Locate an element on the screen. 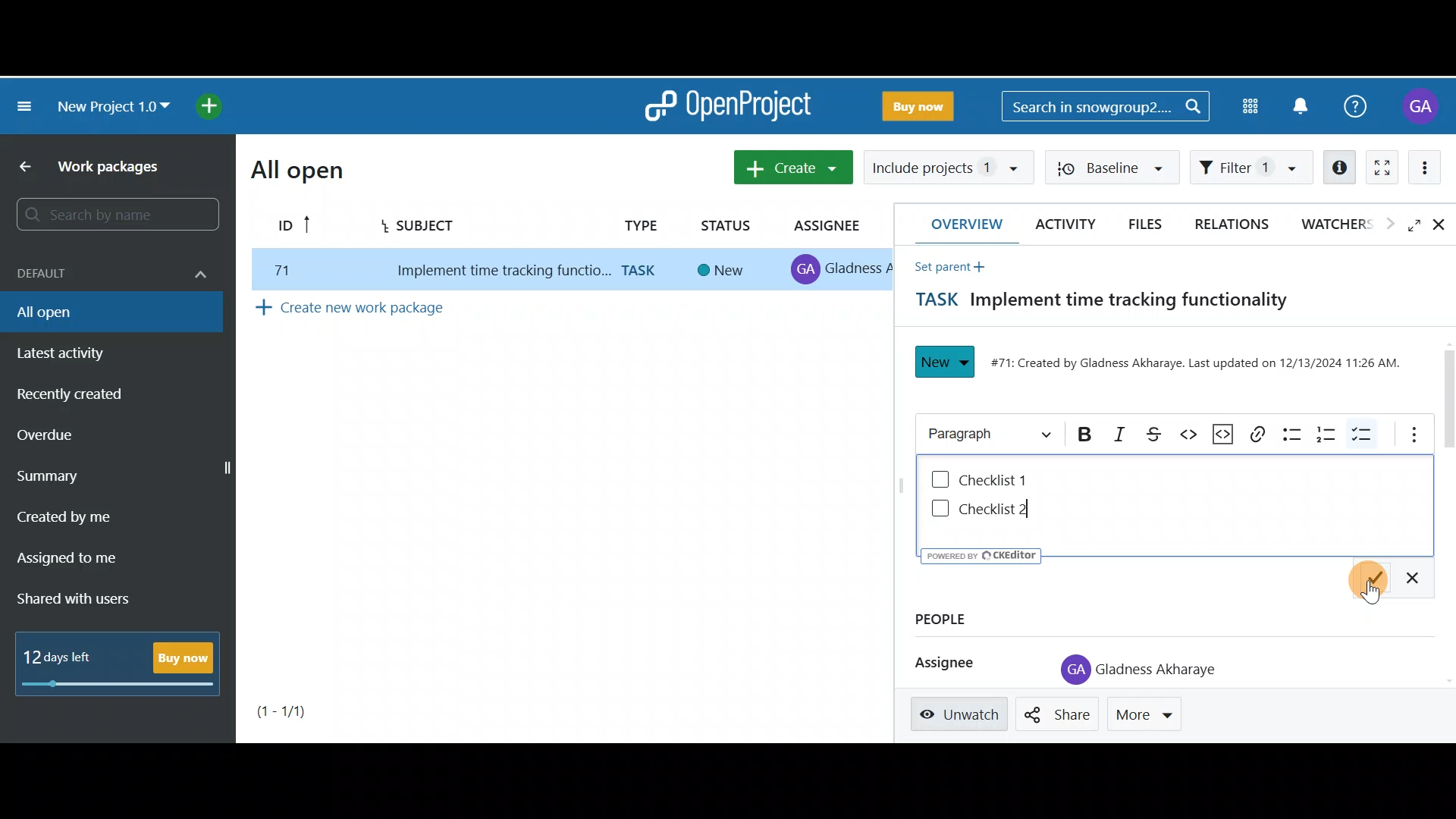 Image resolution: width=1456 pixels, height=819 pixels. Search bar is located at coordinates (113, 215).